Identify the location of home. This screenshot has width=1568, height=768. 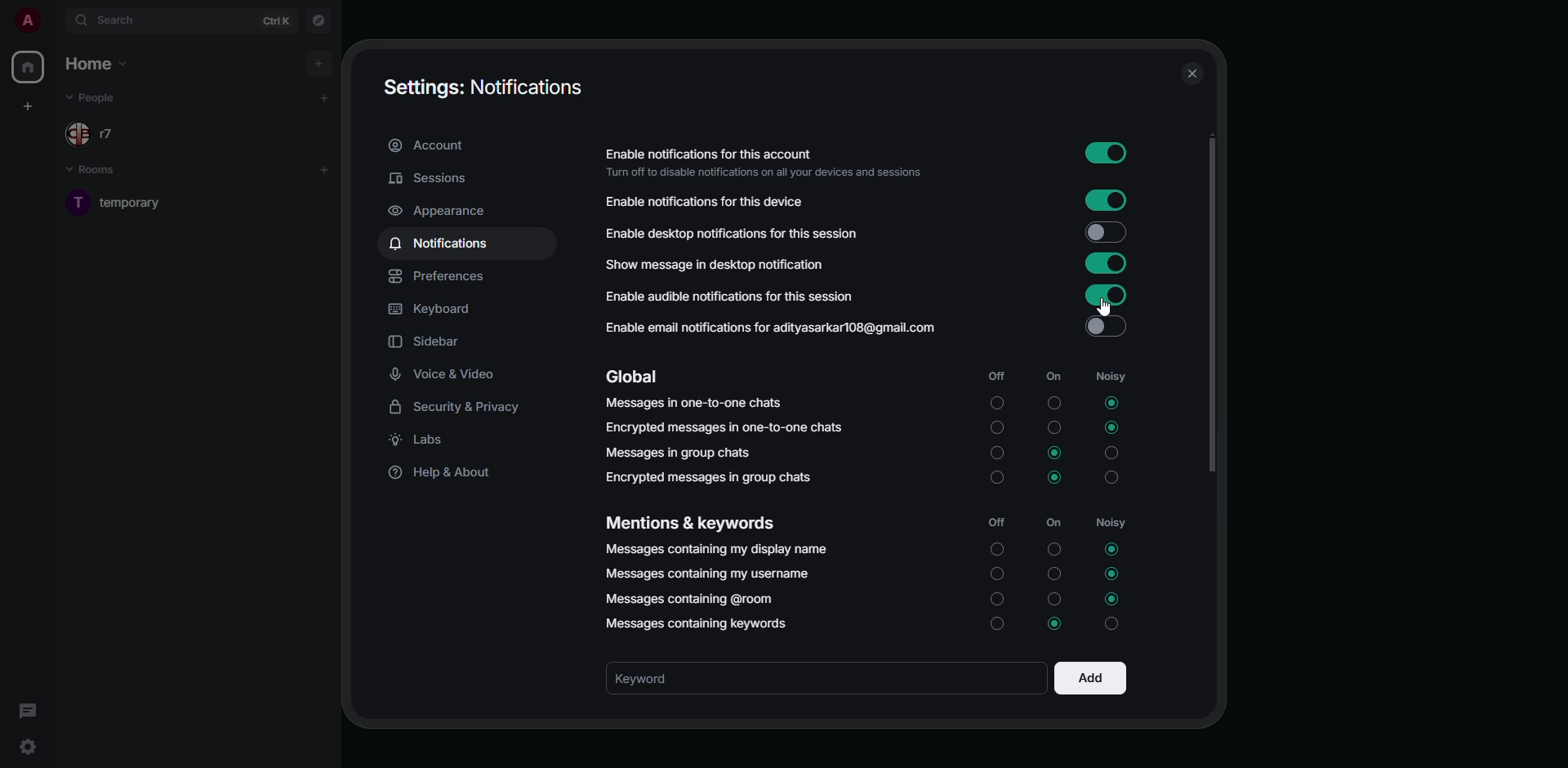
(96, 63).